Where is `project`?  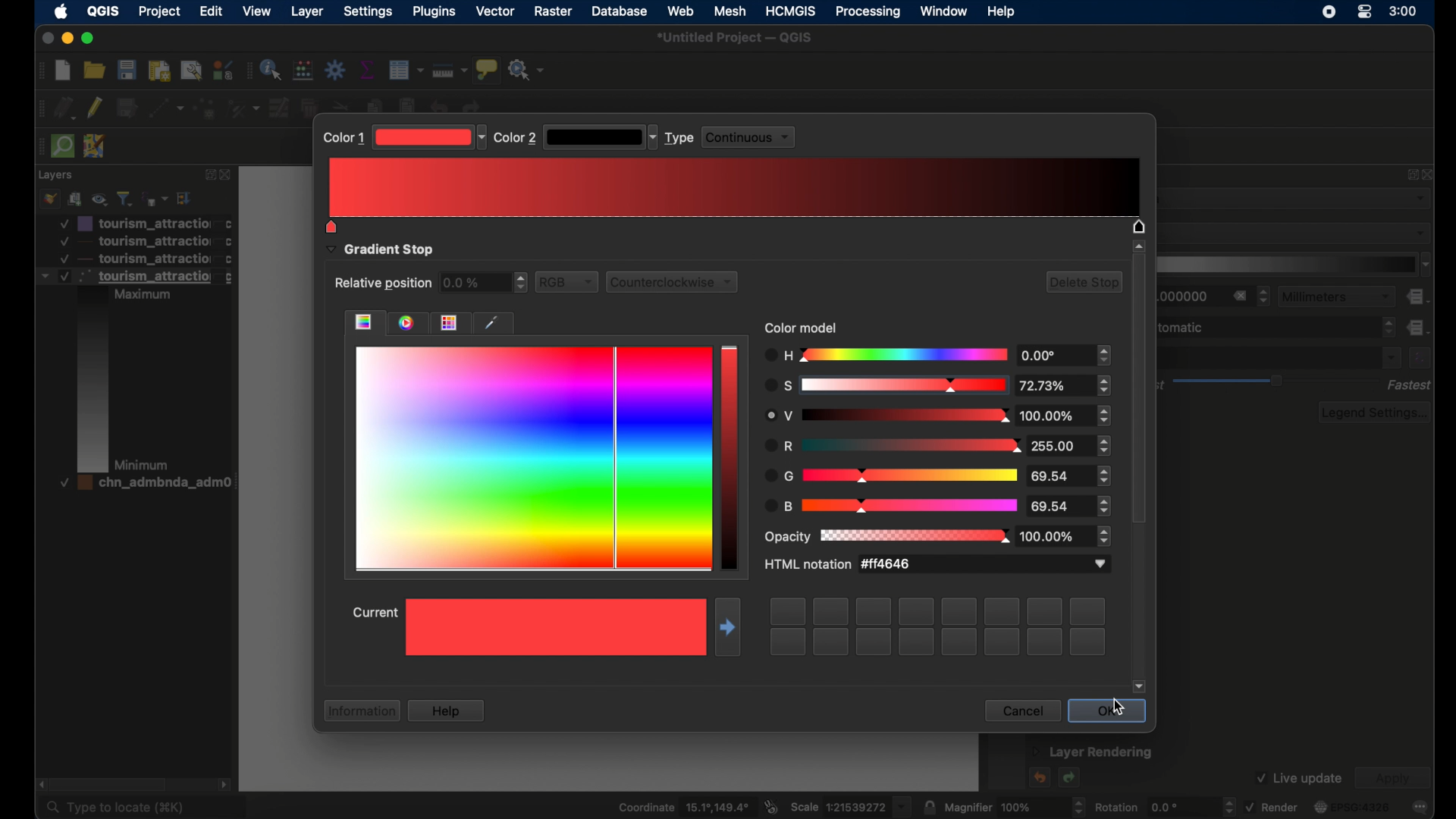 project is located at coordinates (157, 11).